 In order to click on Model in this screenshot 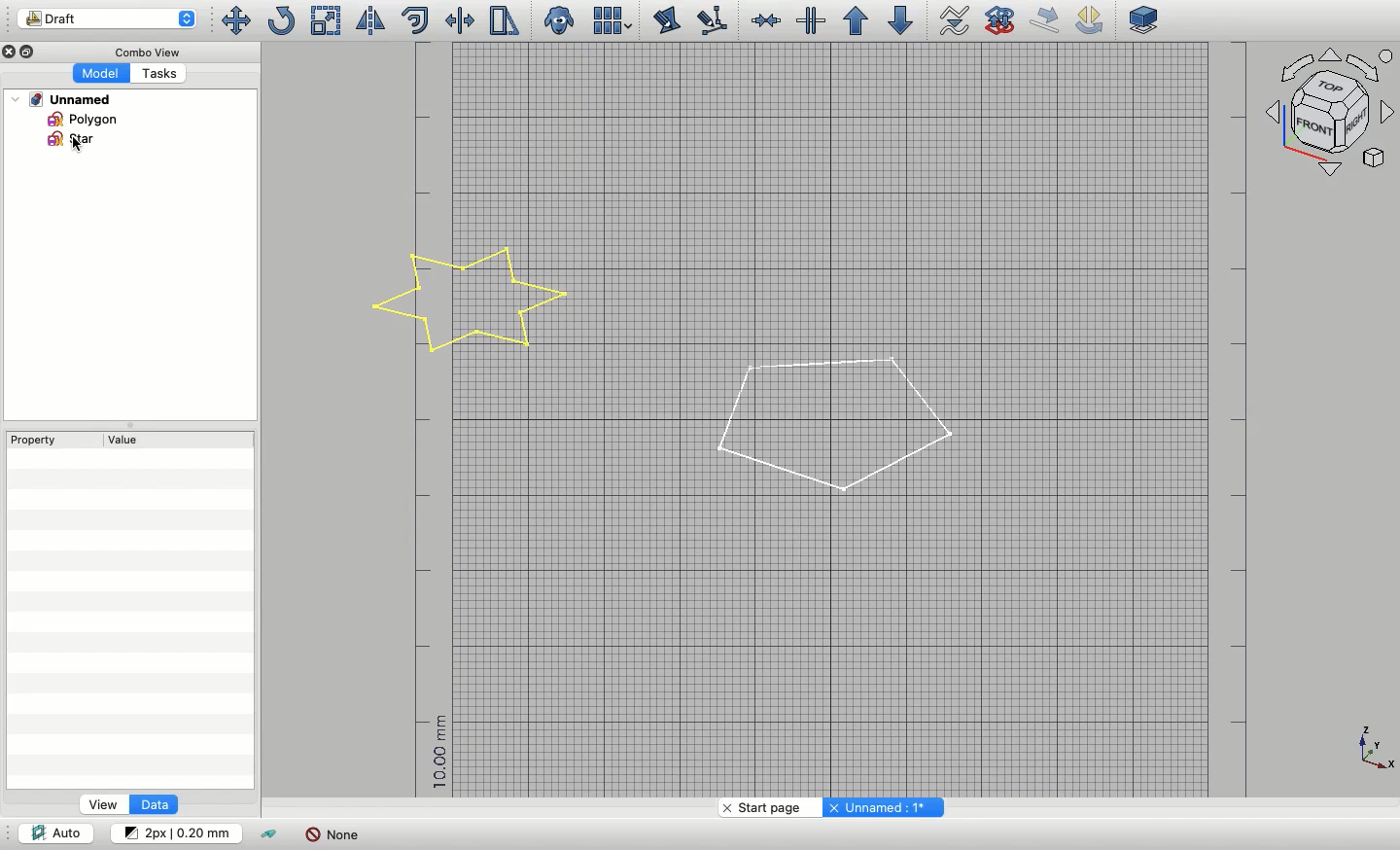, I will do `click(99, 74)`.